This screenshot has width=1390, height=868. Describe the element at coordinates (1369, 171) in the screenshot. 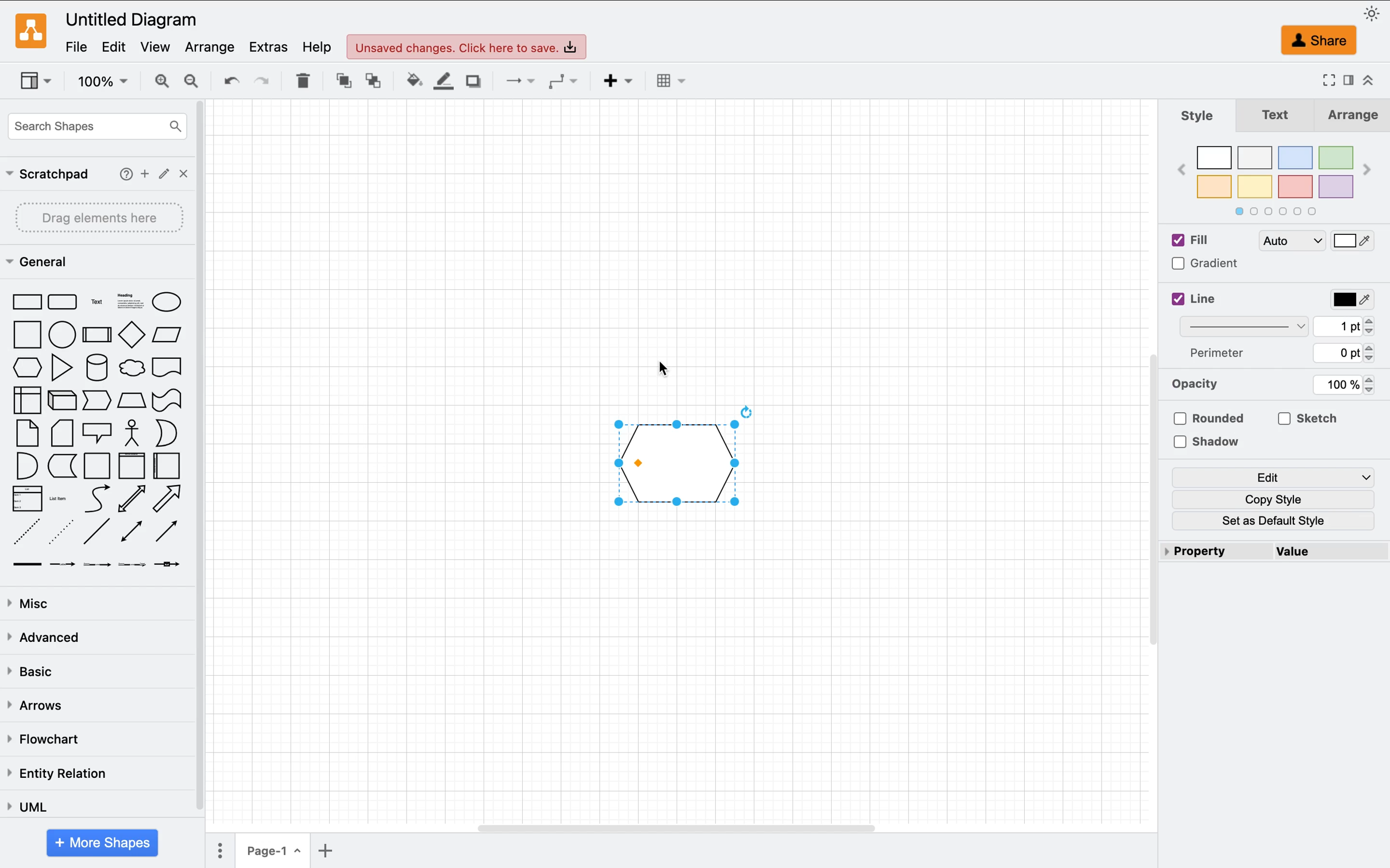

I see `Forward` at that location.